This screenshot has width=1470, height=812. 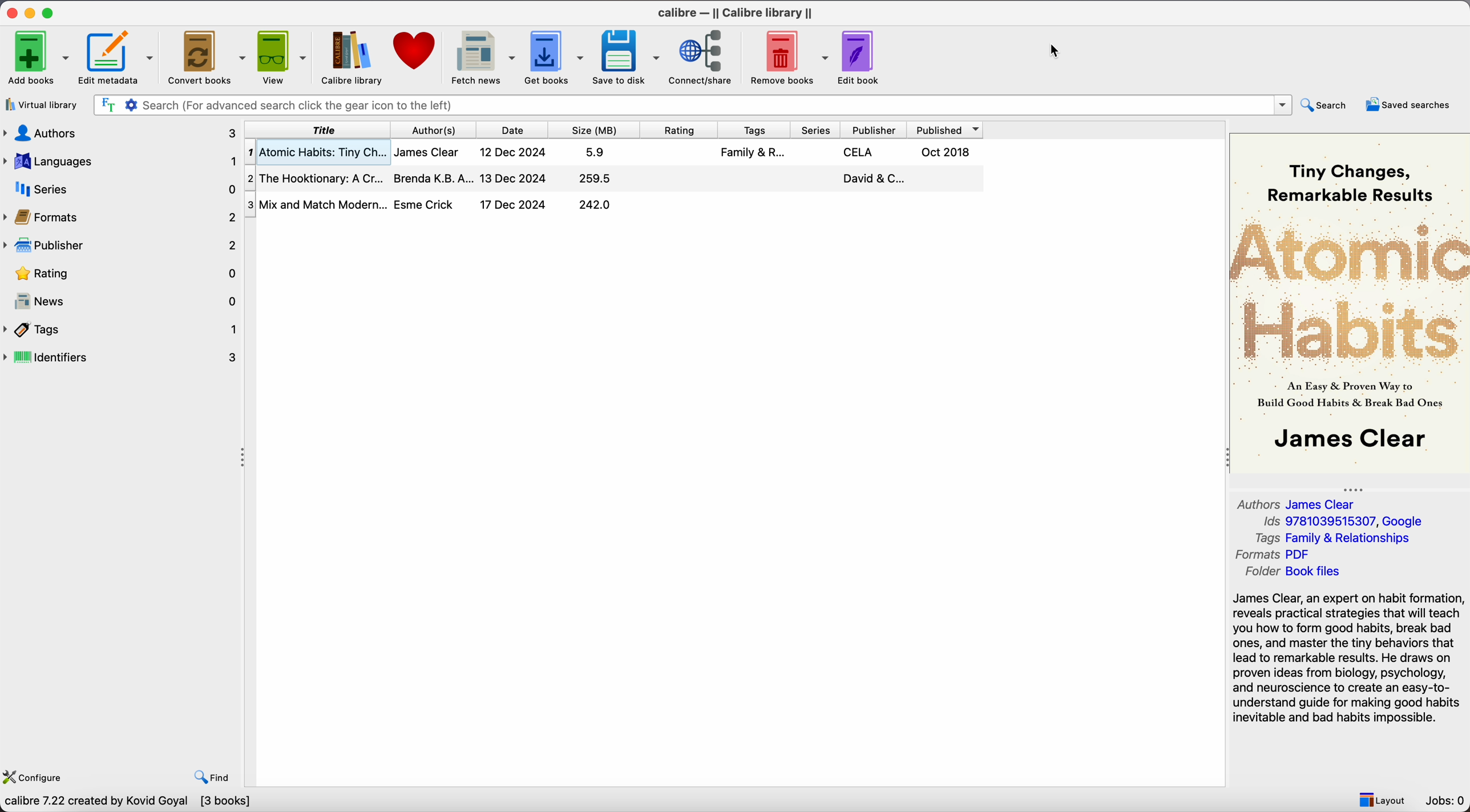 I want to click on get books, so click(x=554, y=58).